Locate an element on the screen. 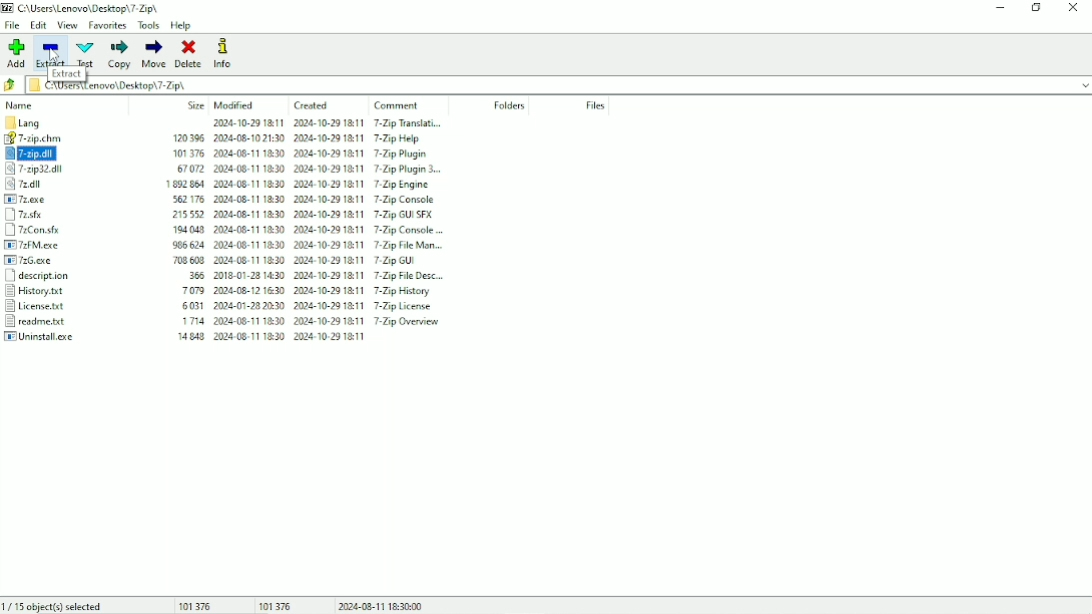 The image size is (1092, 614). Minimize is located at coordinates (1000, 7).